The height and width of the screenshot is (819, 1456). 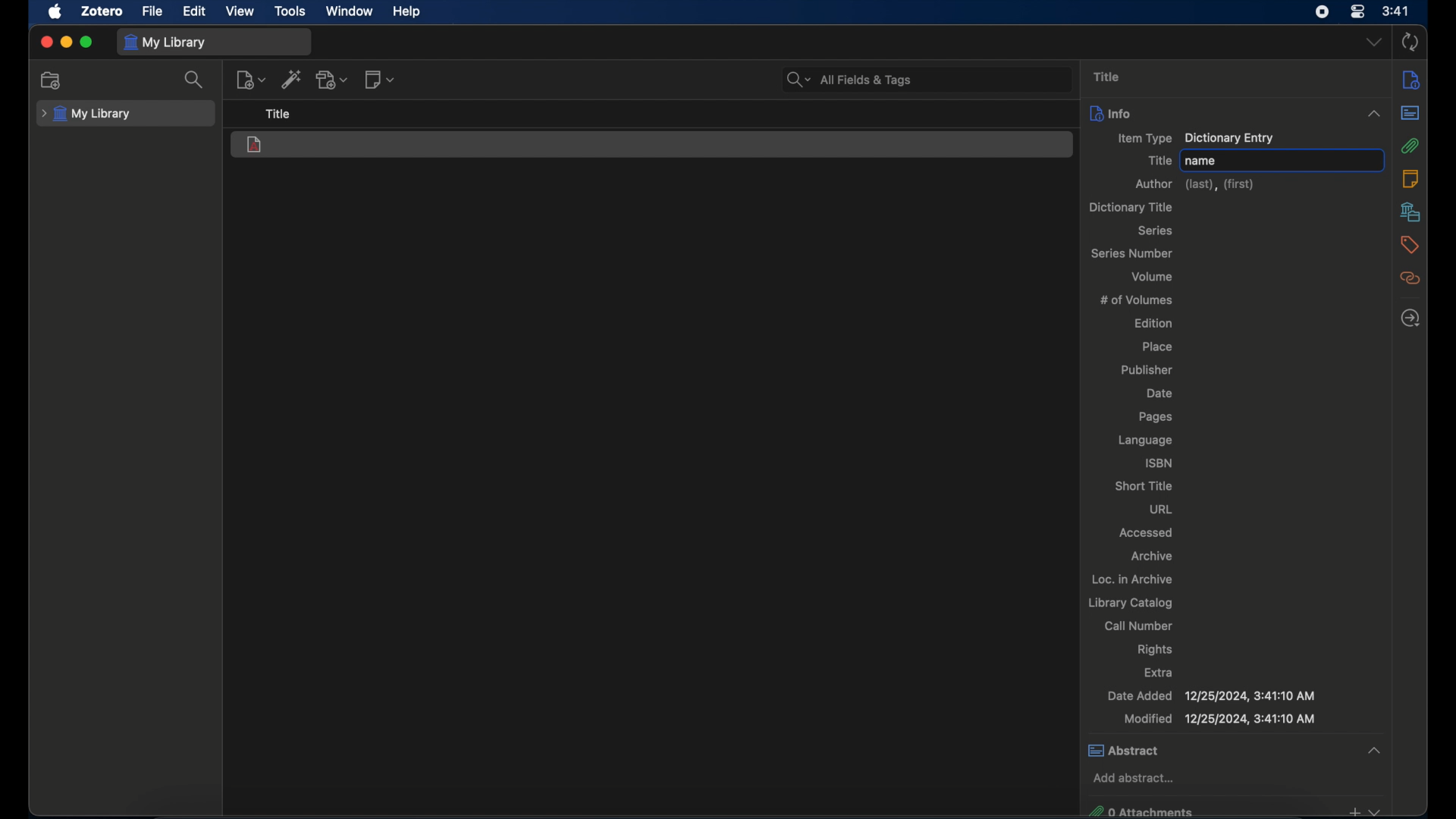 What do you see at coordinates (194, 80) in the screenshot?
I see `search` at bounding box center [194, 80].